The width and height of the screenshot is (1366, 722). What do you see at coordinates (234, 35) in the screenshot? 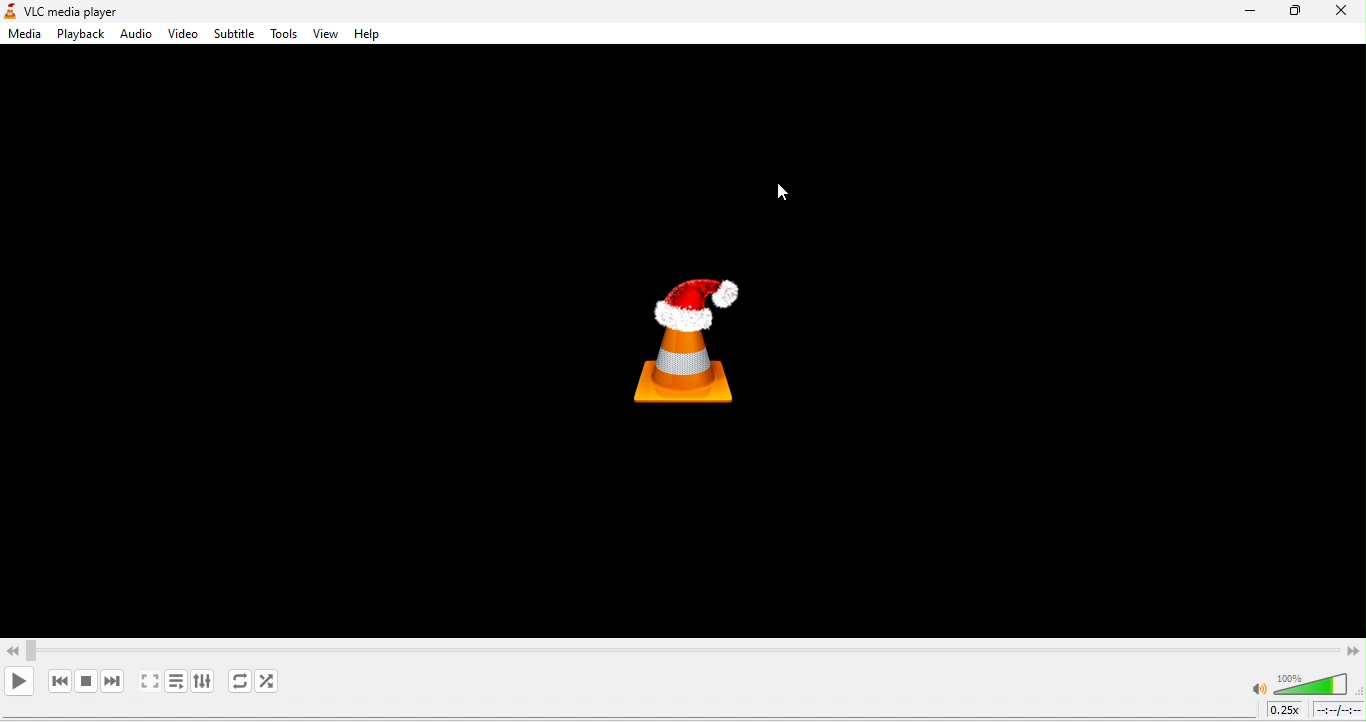
I see `subtitle` at bounding box center [234, 35].